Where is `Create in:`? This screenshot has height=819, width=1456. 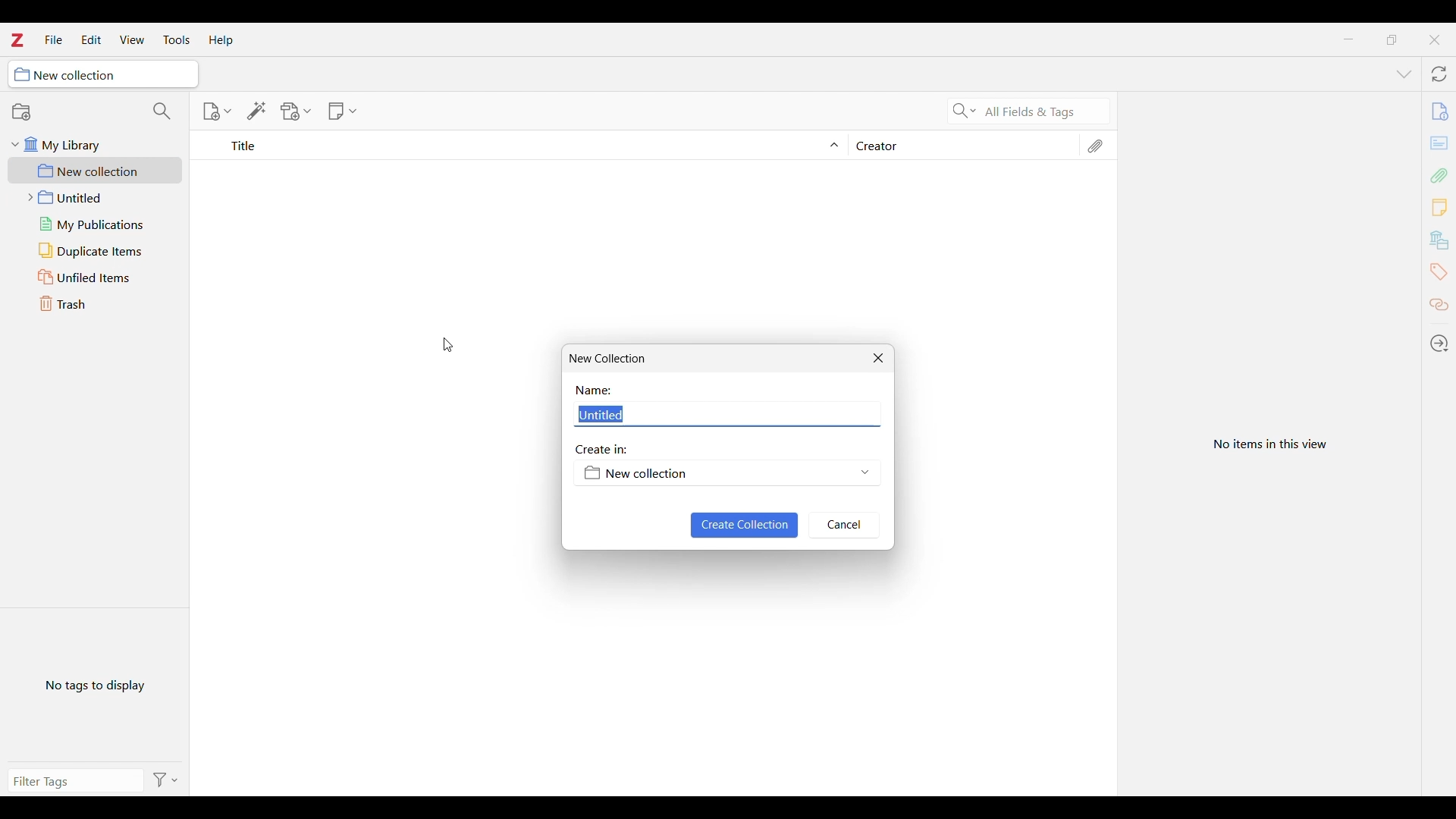 Create in: is located at coordinates (602, 450).